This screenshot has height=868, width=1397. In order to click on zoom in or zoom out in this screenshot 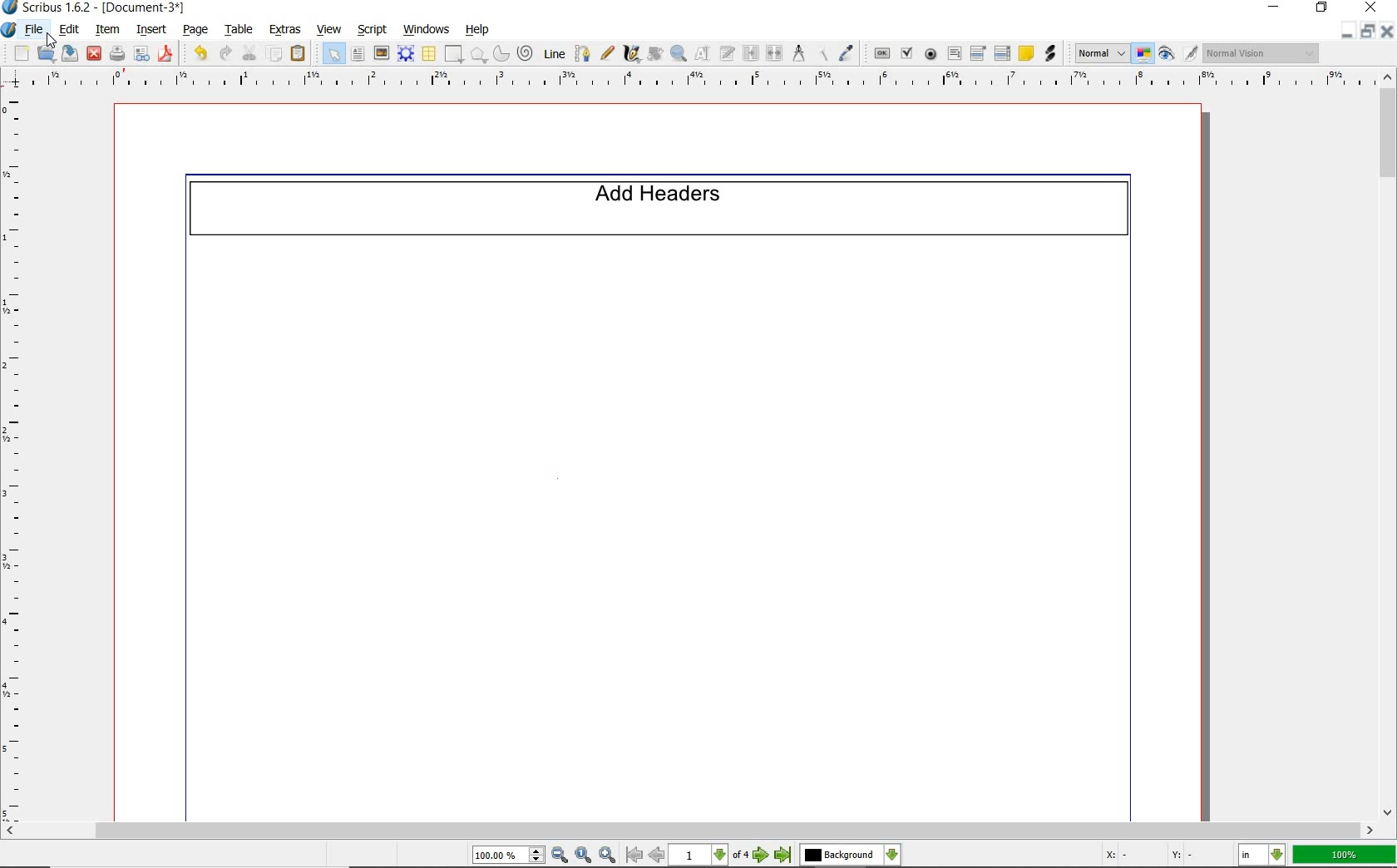, I will do `click(679, 55)`.